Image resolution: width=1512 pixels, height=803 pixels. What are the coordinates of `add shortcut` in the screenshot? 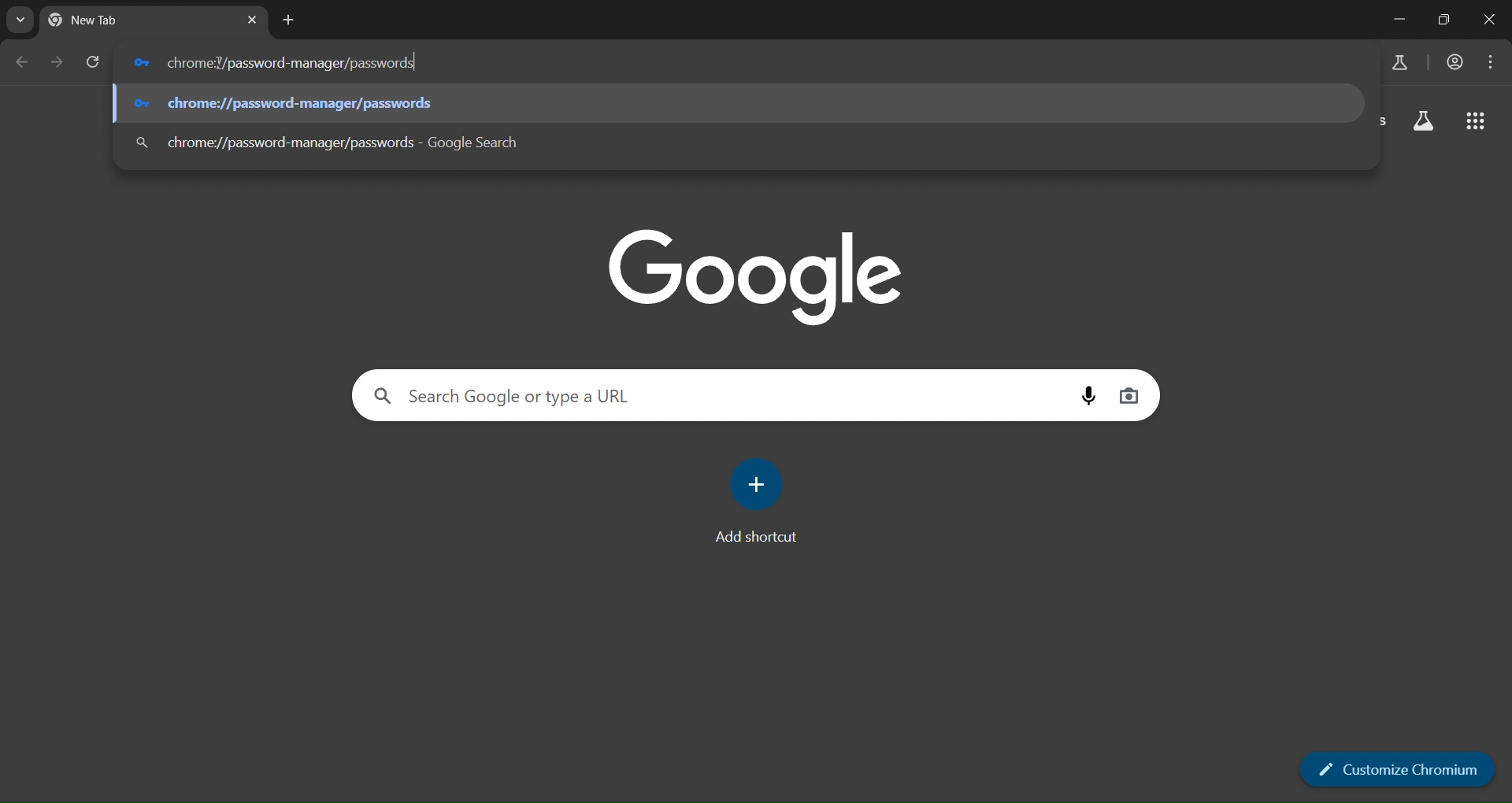 It's located at (763, 501).